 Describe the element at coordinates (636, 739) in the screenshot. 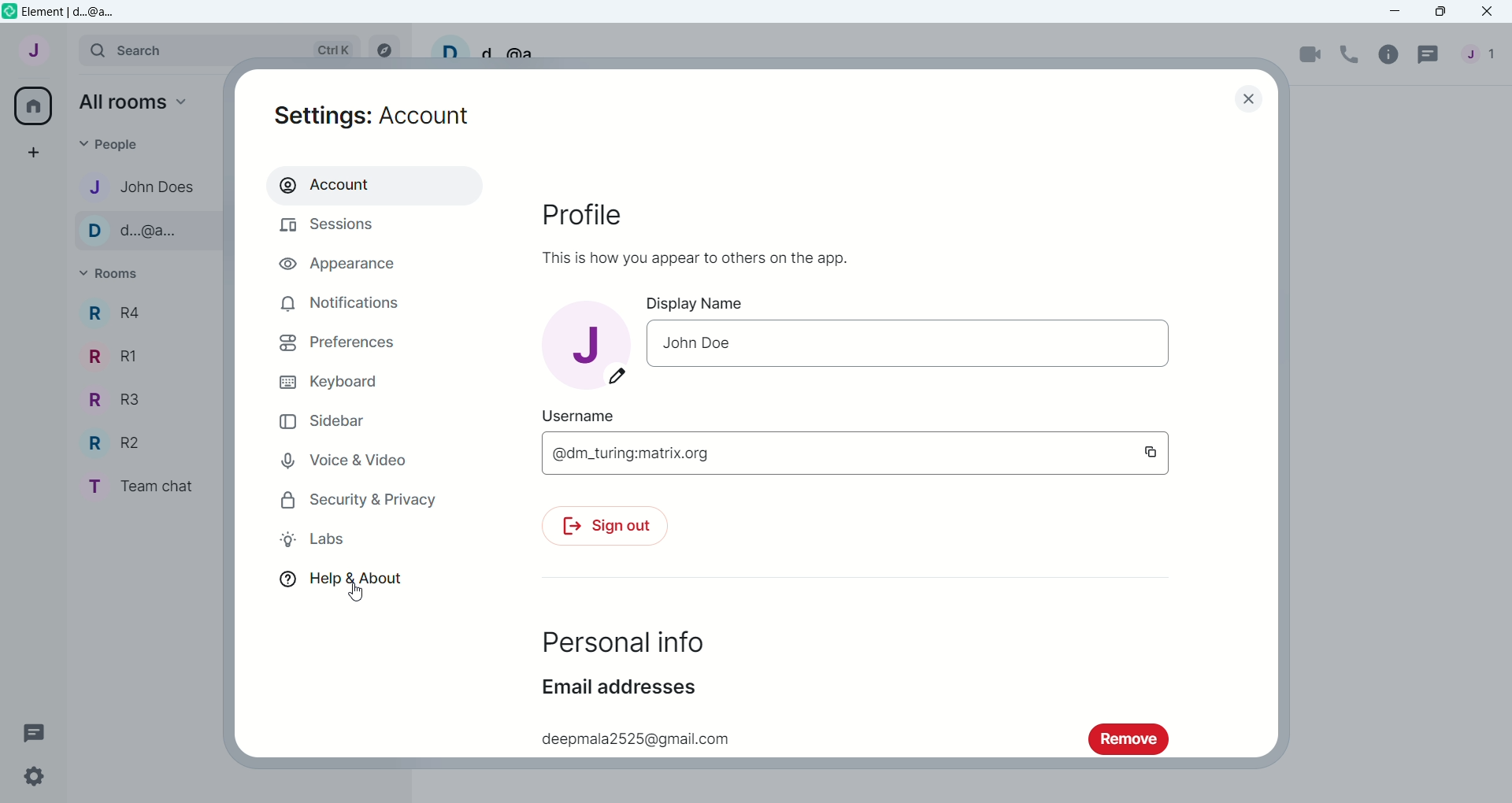

I see `deepmala2525@gmail.com` at that location.